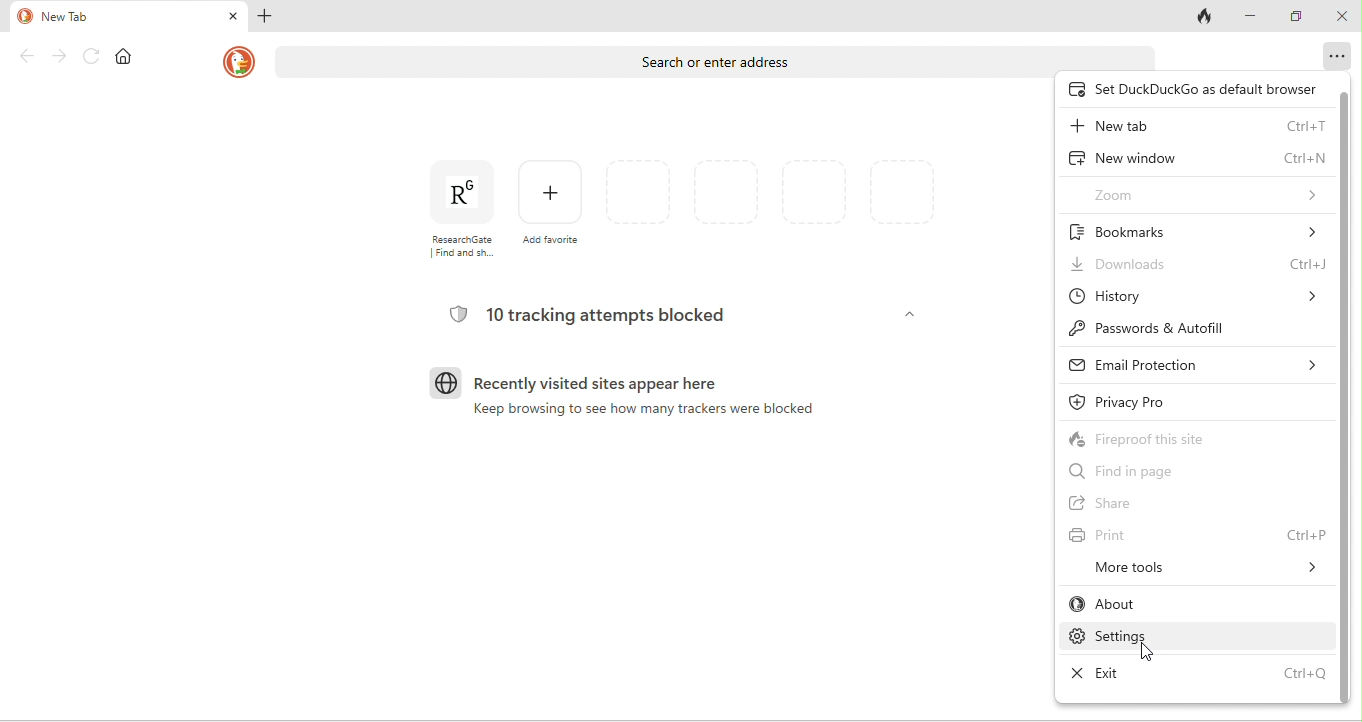 Image resolution: width=1362 pixels, height=722 pixels. I want to click on duck duck go logo, so click(22, 15).